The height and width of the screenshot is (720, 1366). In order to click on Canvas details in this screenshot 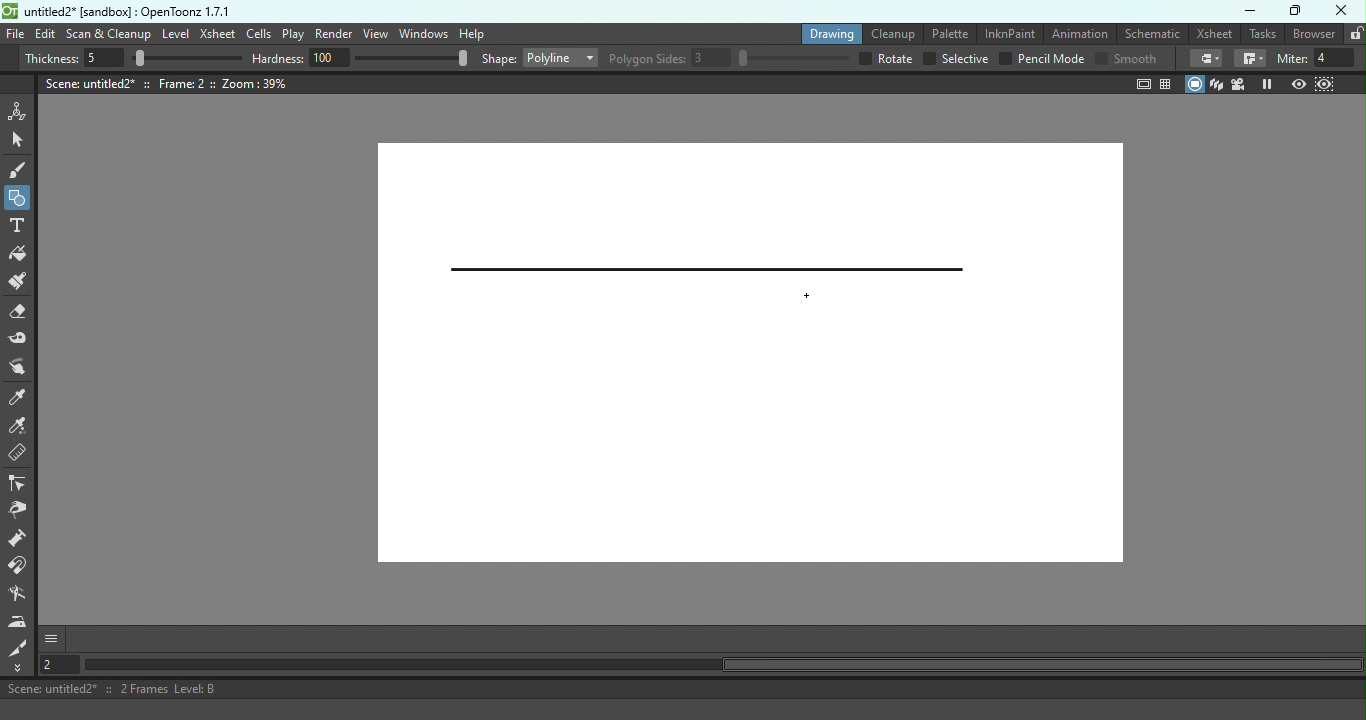, I will do `click(167, 84)`.